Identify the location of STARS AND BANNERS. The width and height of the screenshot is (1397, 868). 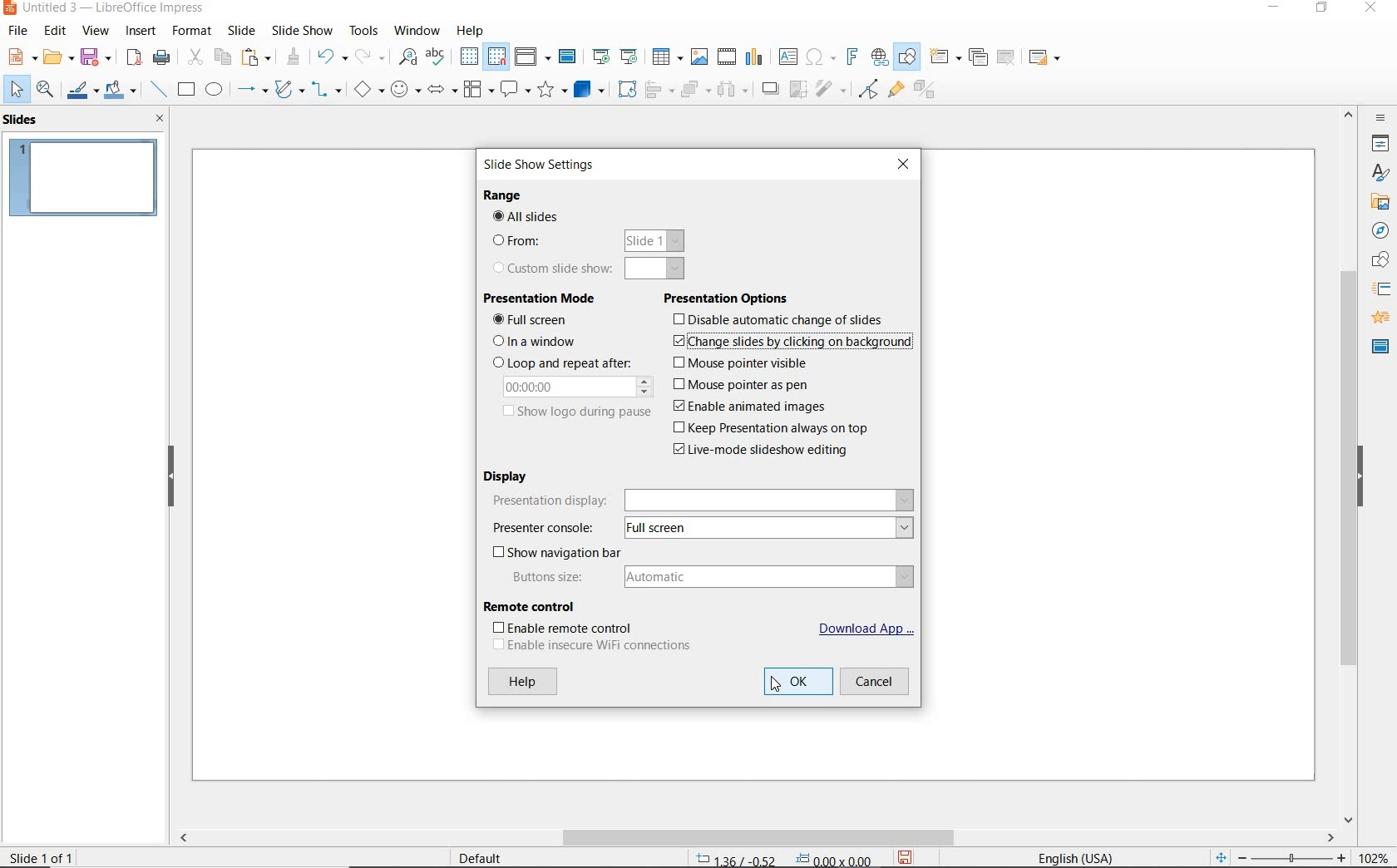
(549, 91).